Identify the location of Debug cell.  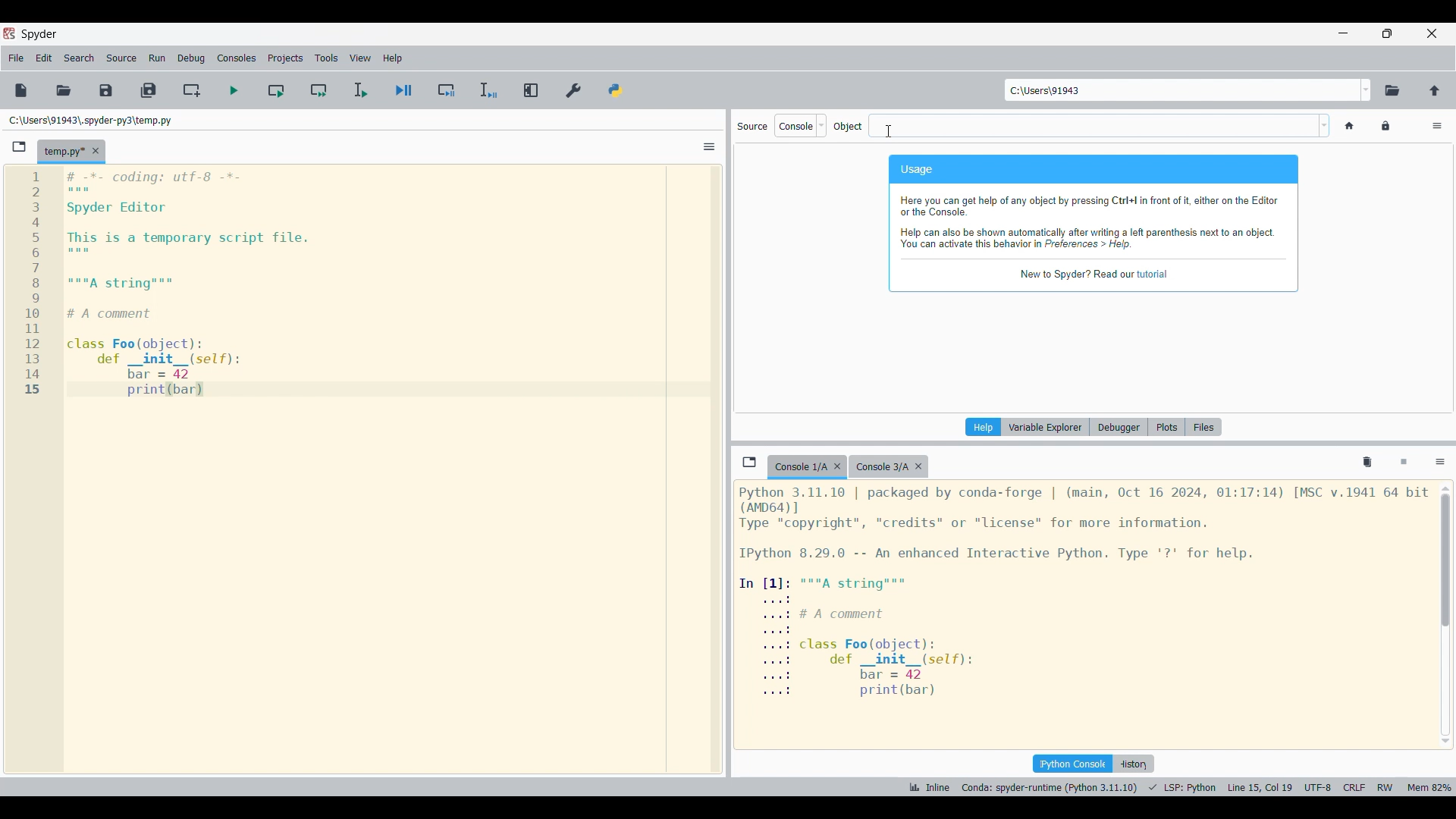
(447, 91).